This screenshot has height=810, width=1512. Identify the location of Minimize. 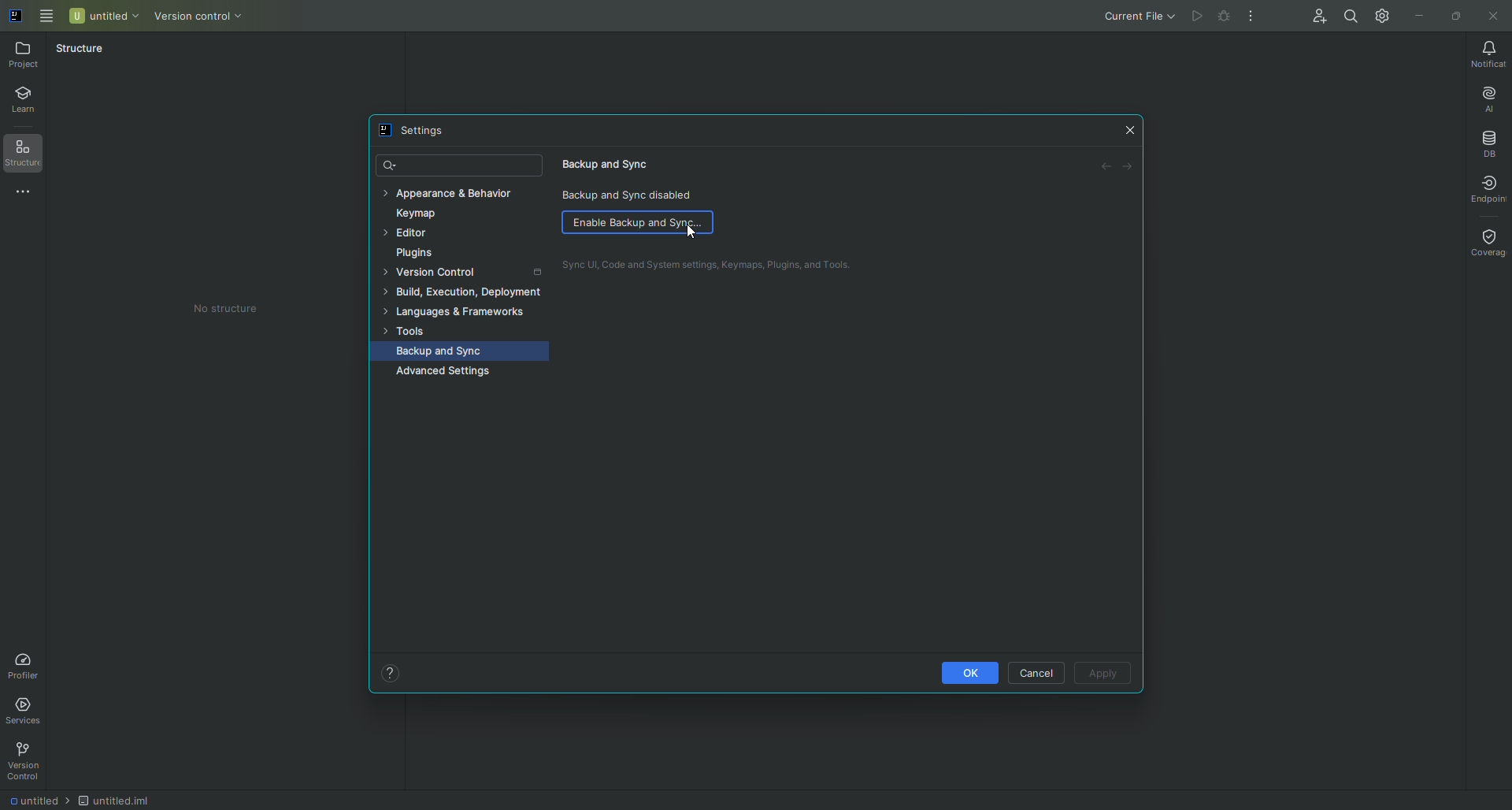
(1418, 14).